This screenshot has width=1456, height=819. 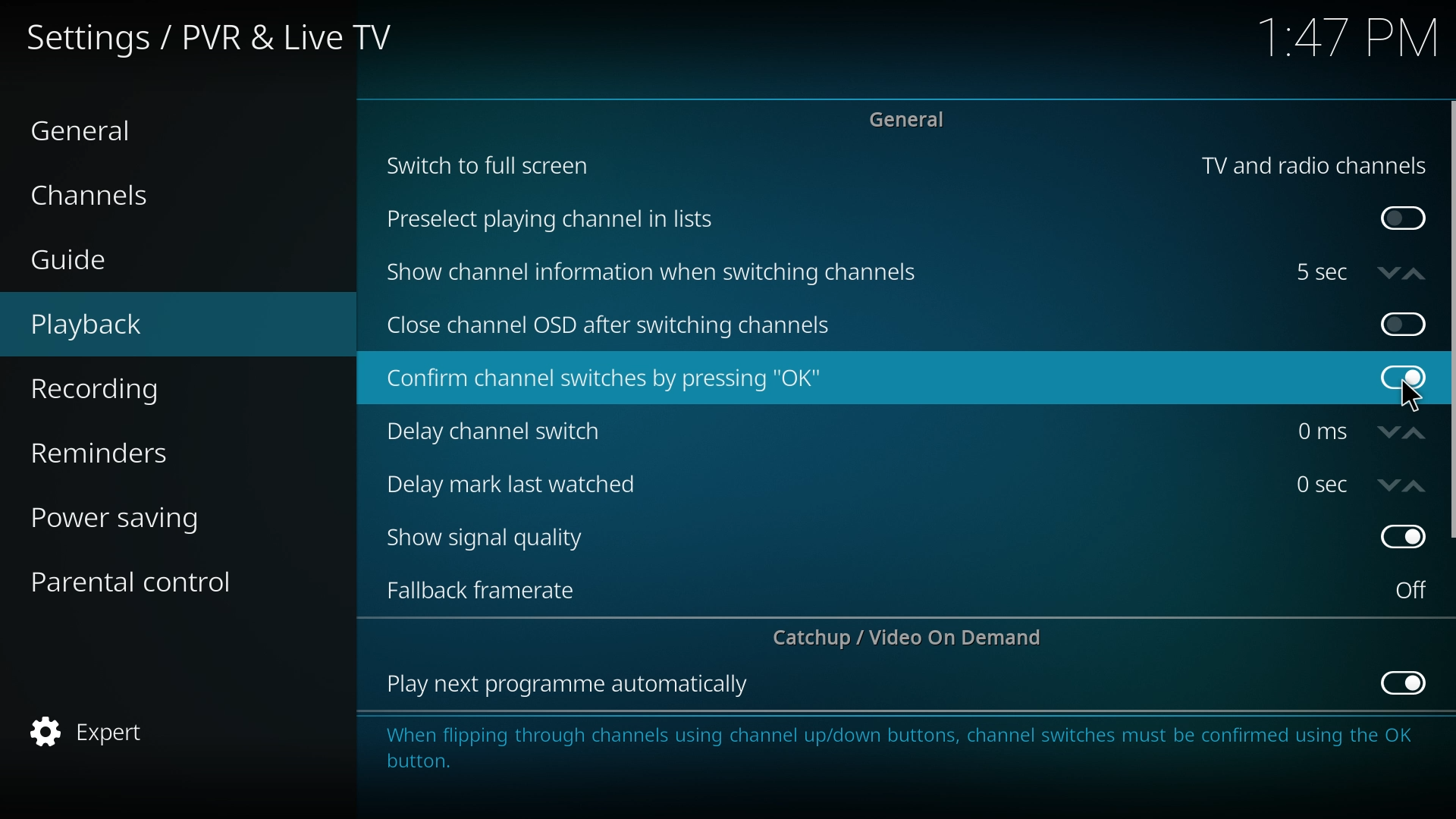 I want to click on on, so click(x=1411, y=590).